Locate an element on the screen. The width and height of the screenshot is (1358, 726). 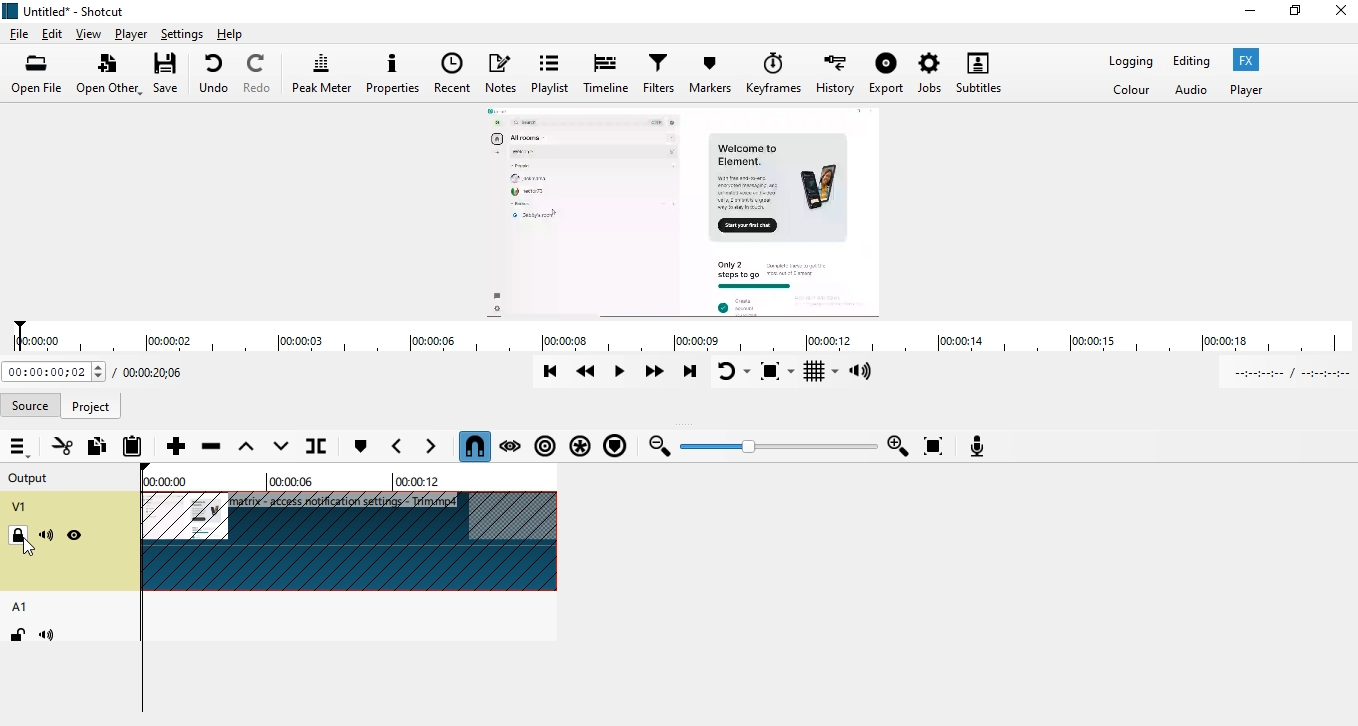
mute is located at coordinates (46, 635).